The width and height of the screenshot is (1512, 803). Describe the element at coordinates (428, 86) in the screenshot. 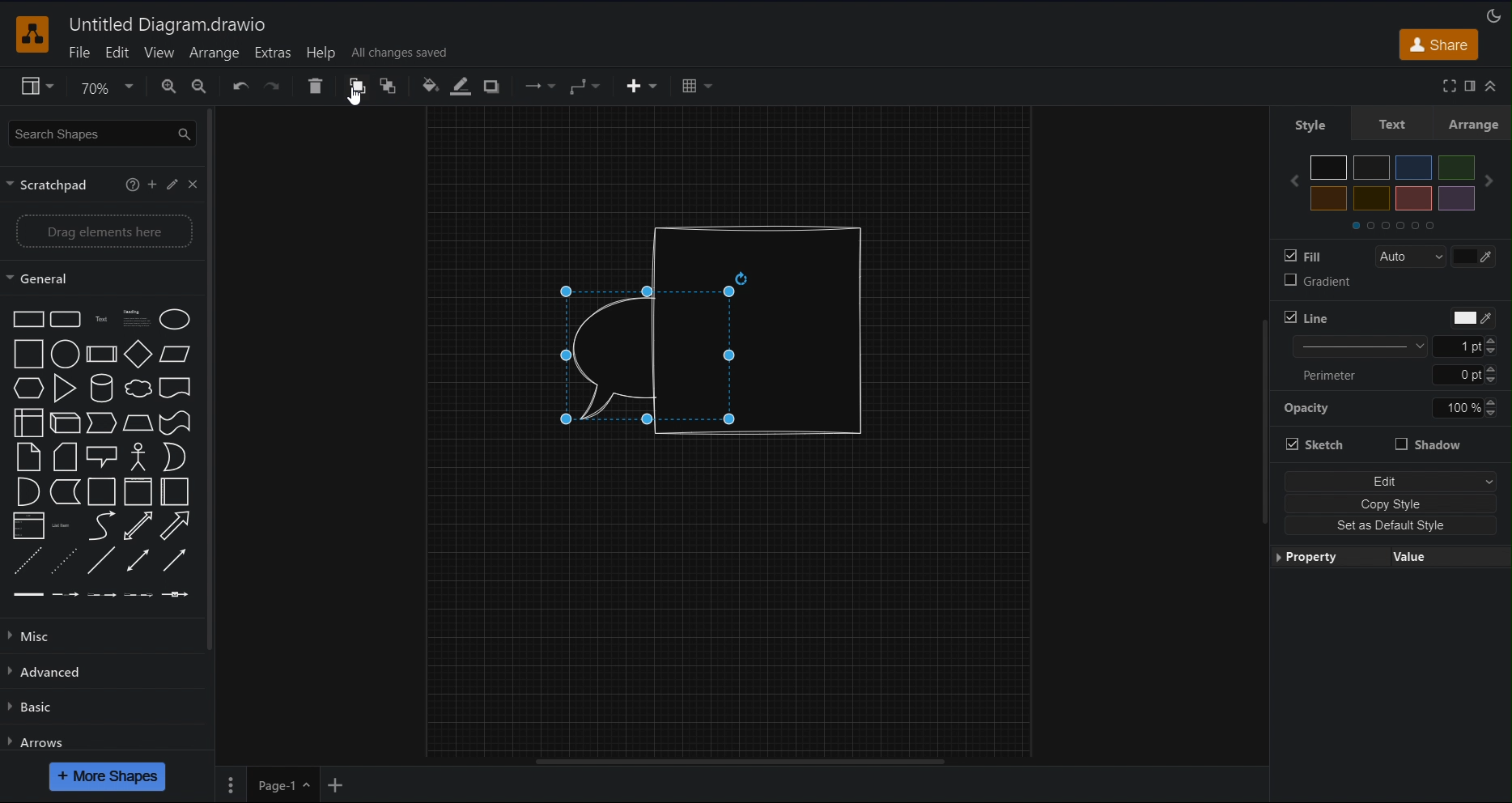

I see `Fill Color` at that location.